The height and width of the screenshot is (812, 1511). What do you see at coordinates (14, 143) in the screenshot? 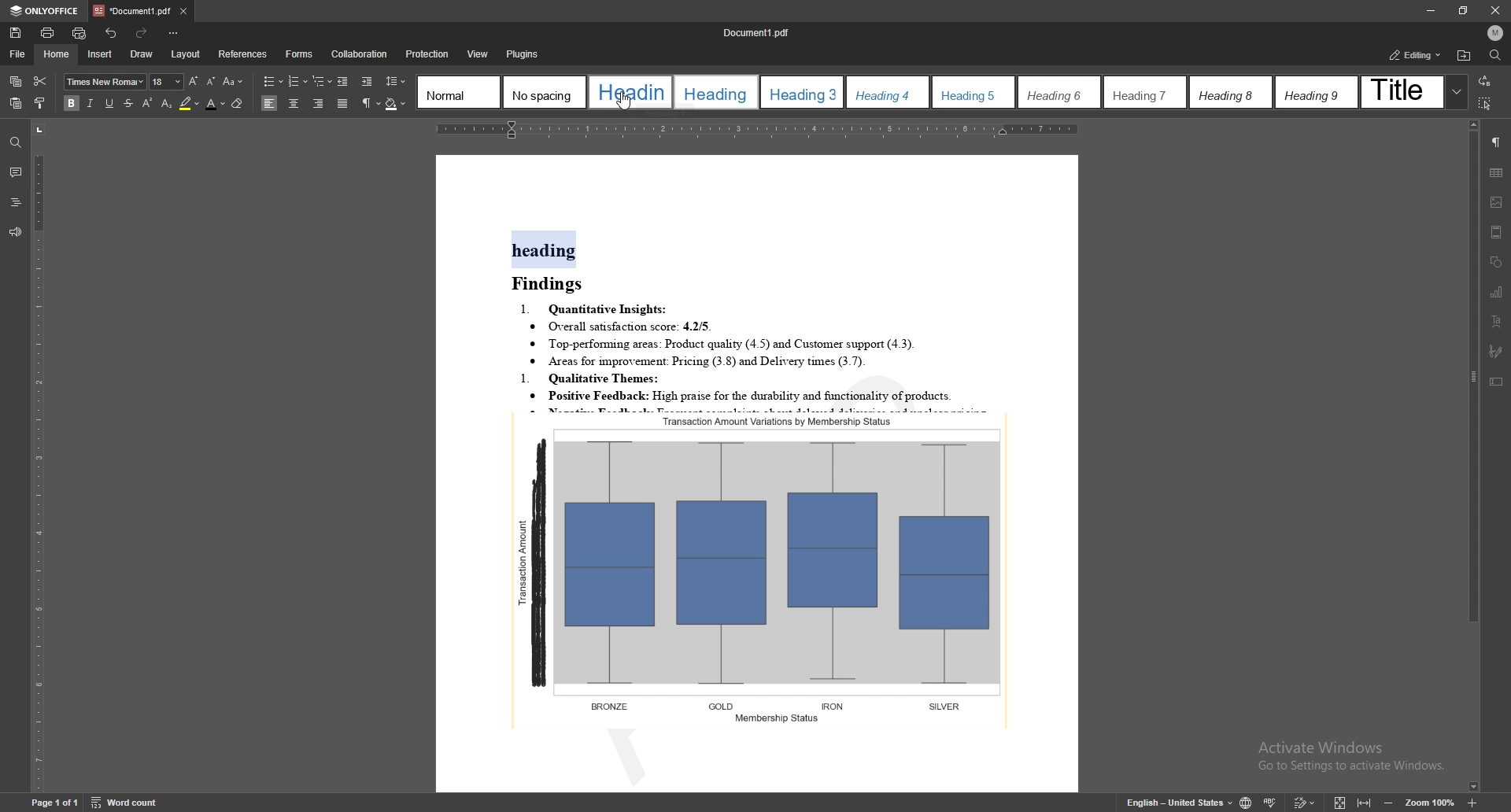
I see `find` at bounding box center [14, 143].